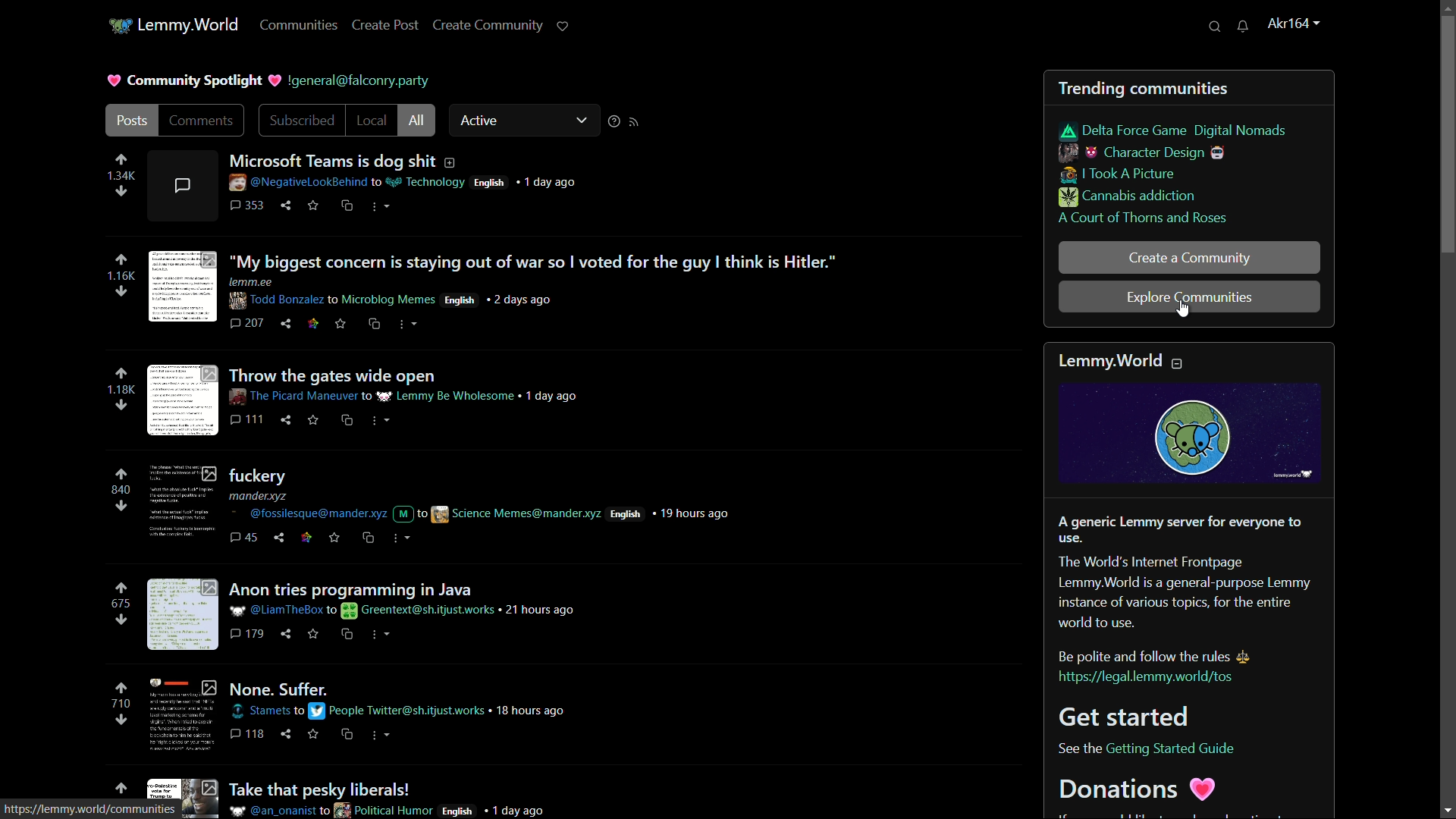 This screenshot has height=819, width=1456. What do you see at coordinates (248, 322) in the screenshot?
I see `comments` at bounding box center [248, 322].